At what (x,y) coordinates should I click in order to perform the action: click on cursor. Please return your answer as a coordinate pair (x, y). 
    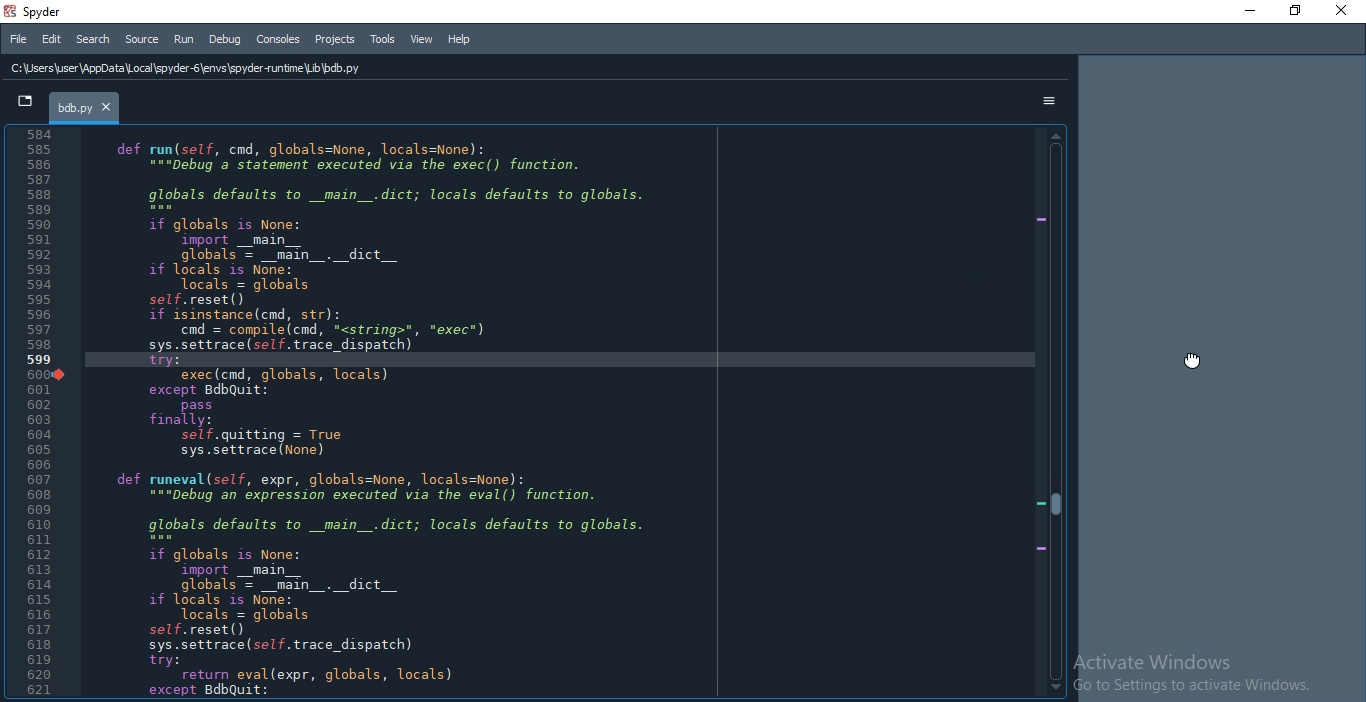
    Looking at the image, I should click on (1195, 361).